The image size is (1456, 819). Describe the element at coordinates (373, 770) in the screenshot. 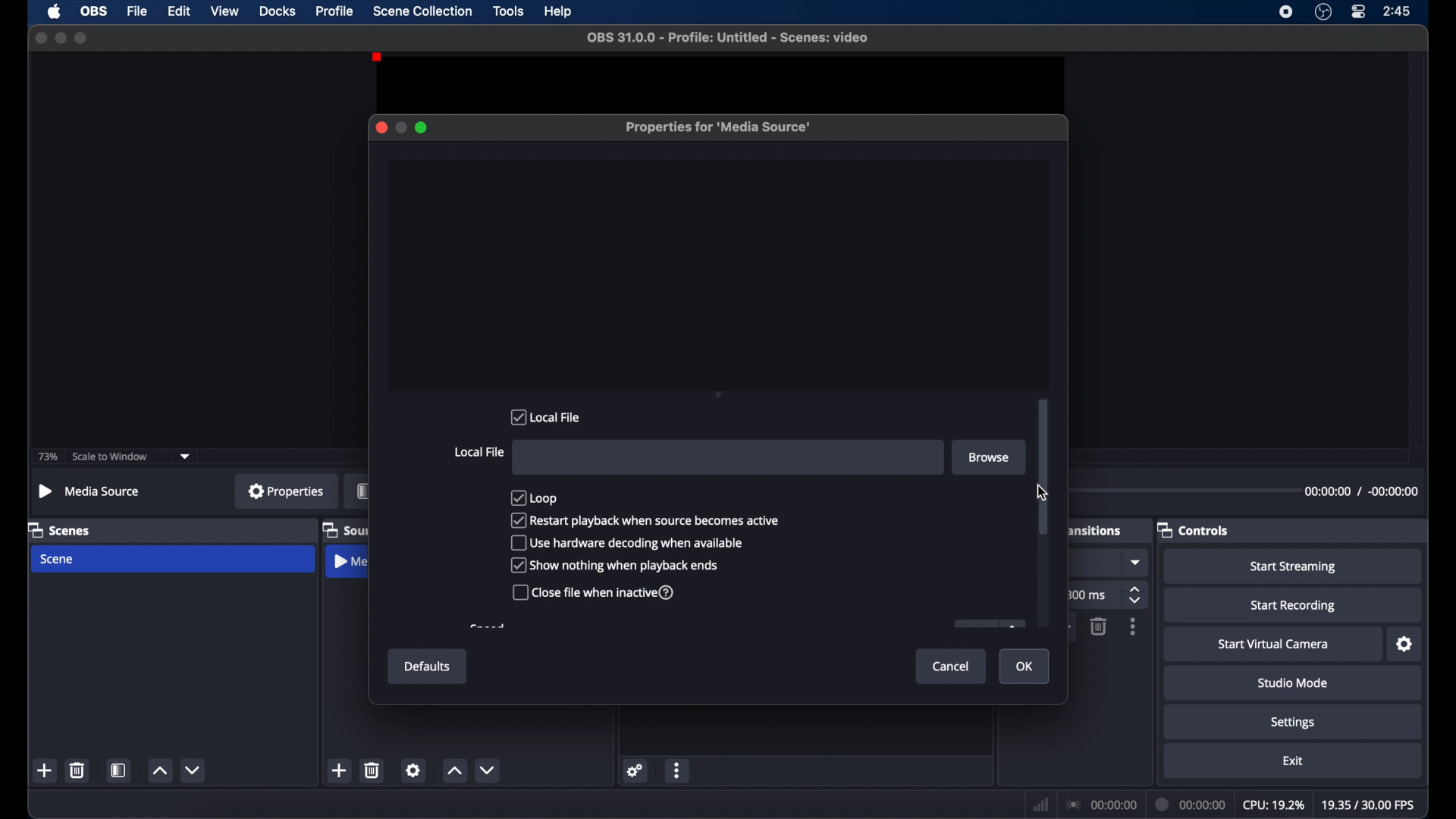

I see `delete` at that location.